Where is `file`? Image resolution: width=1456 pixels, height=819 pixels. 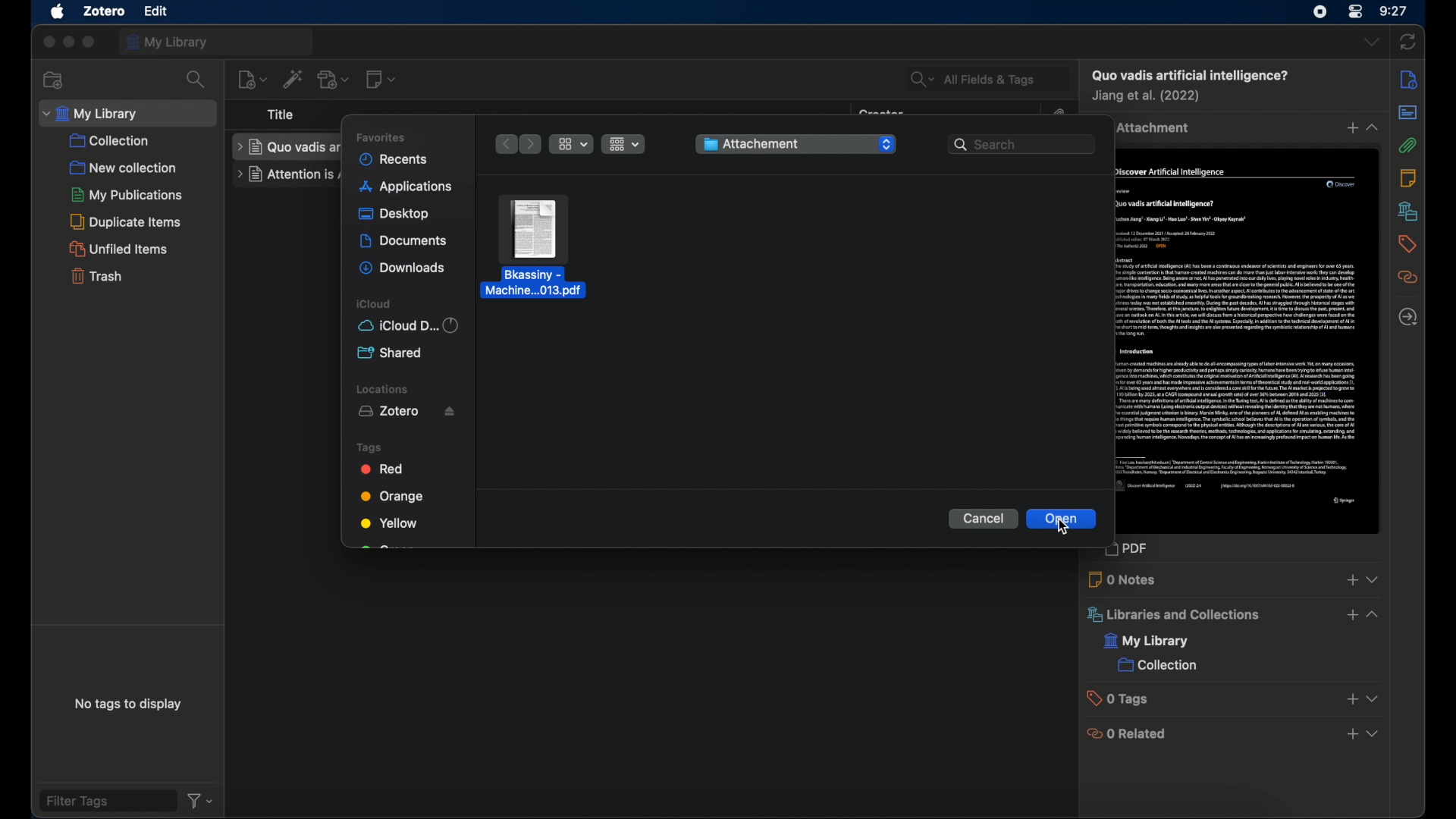
file is located at coordinates (155, 11).